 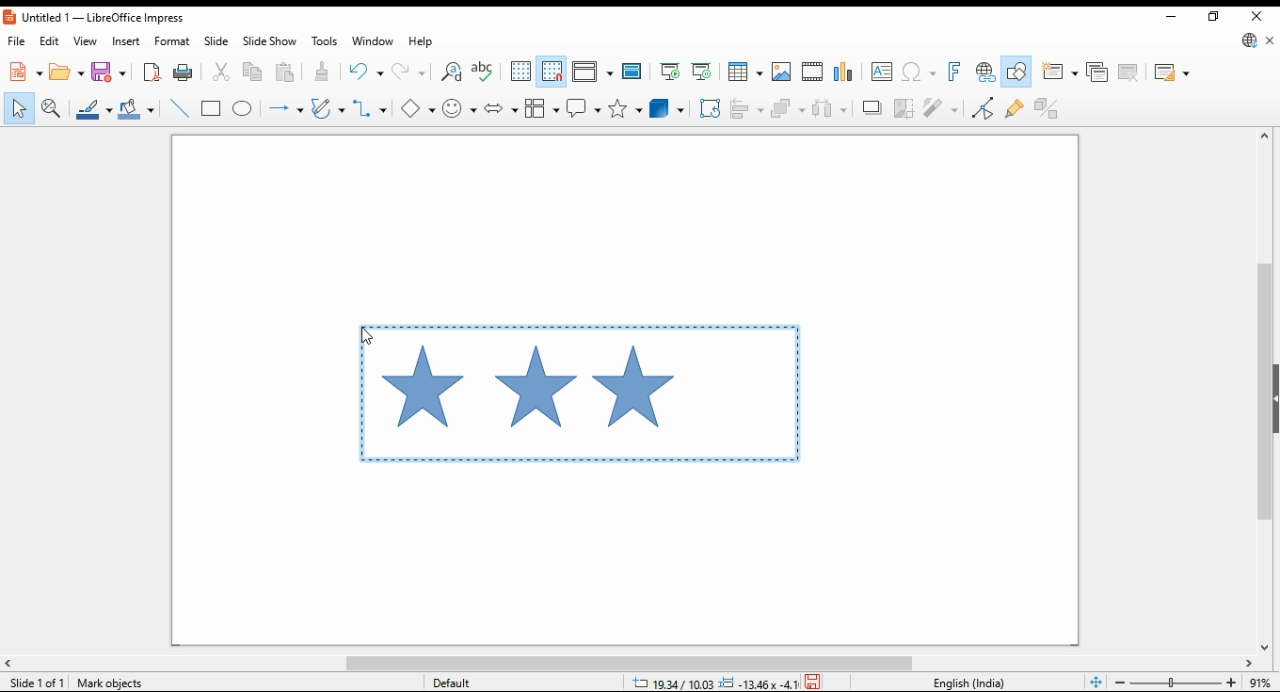 I want to click on help, so click(x=419, y=43).